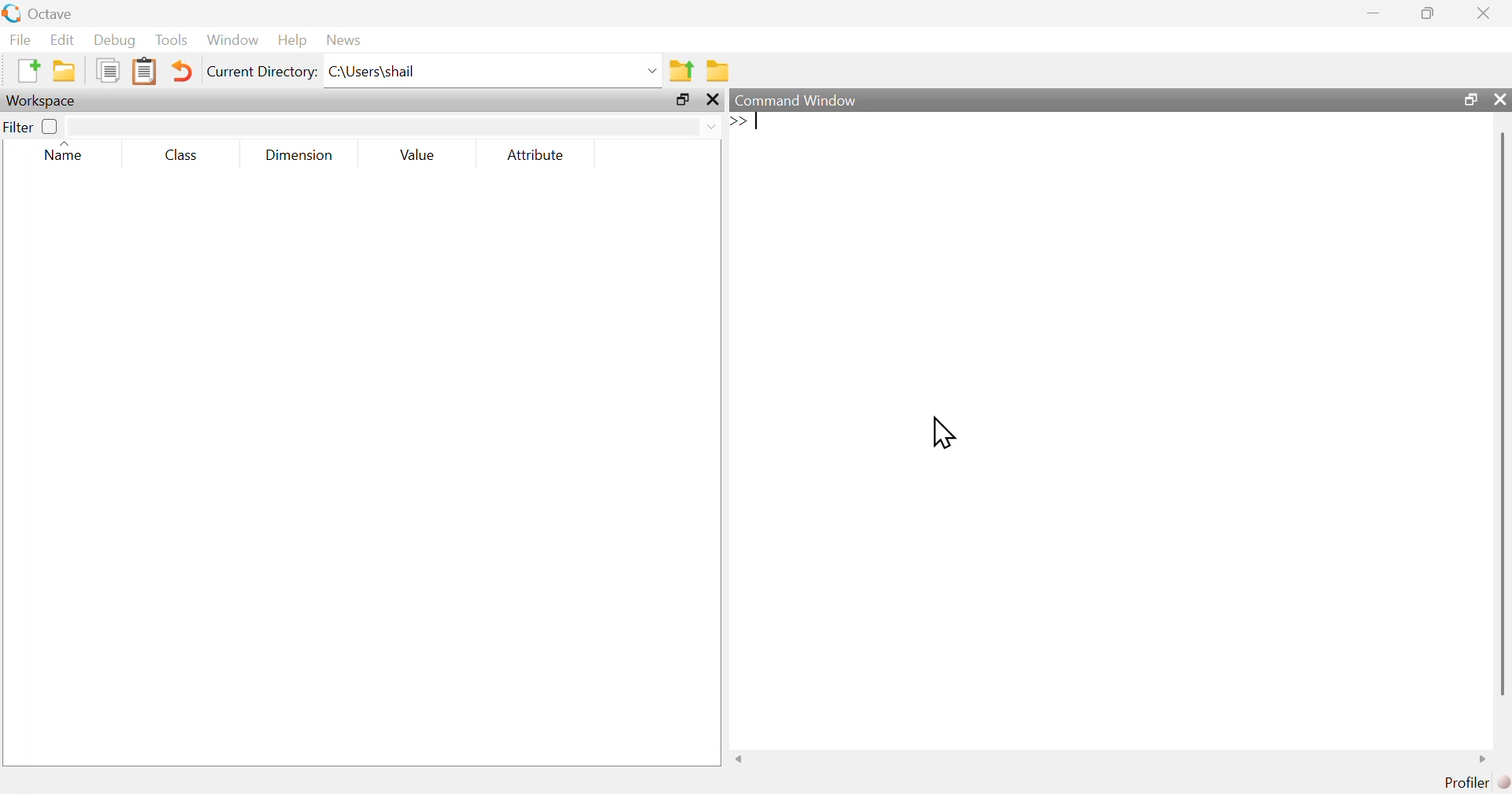 This screenshot has height=794, width=1512. I want to click on Profiler, so click(1473, 781).